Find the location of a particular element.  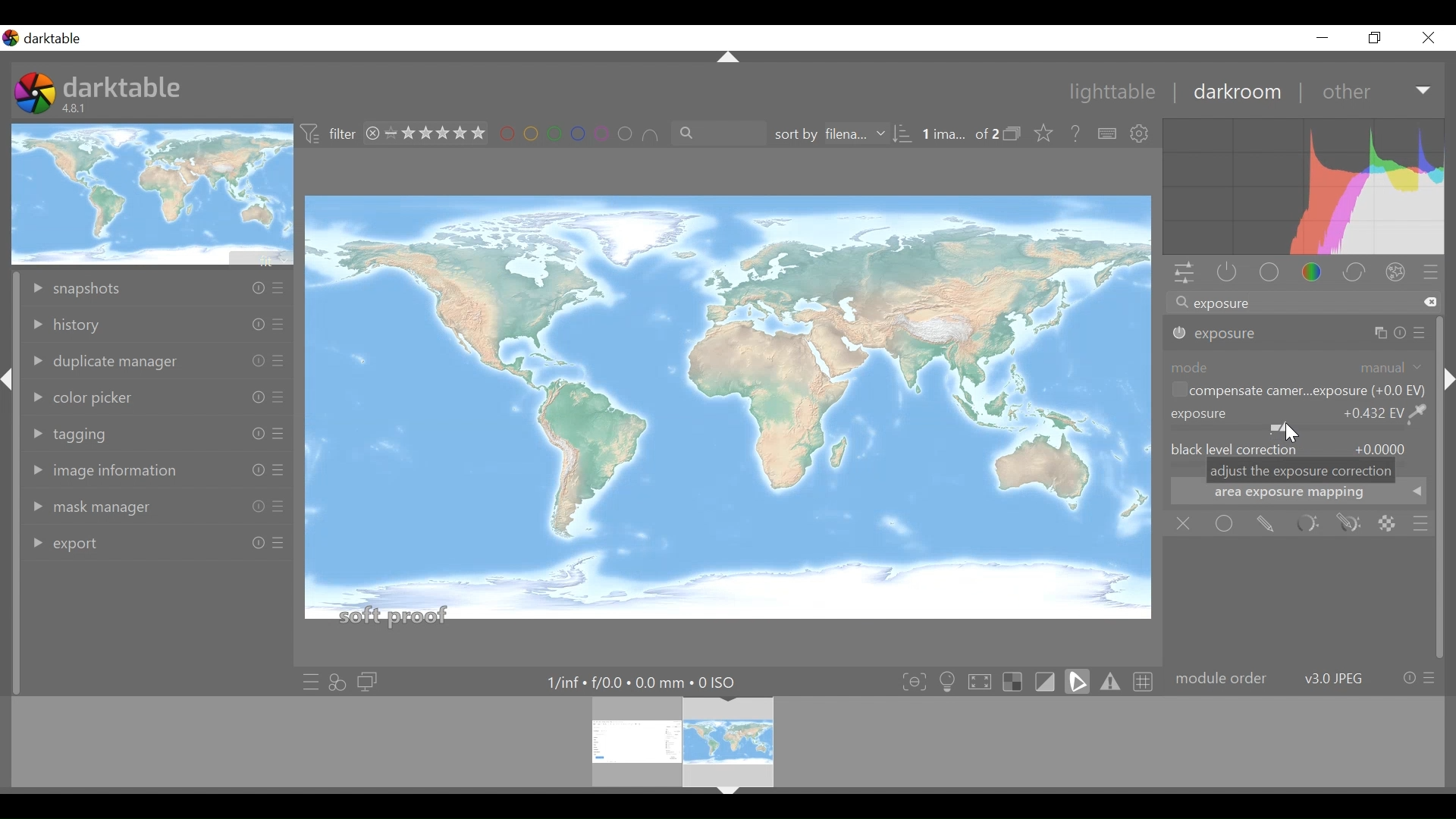

 is located at coordinates (249, 470).